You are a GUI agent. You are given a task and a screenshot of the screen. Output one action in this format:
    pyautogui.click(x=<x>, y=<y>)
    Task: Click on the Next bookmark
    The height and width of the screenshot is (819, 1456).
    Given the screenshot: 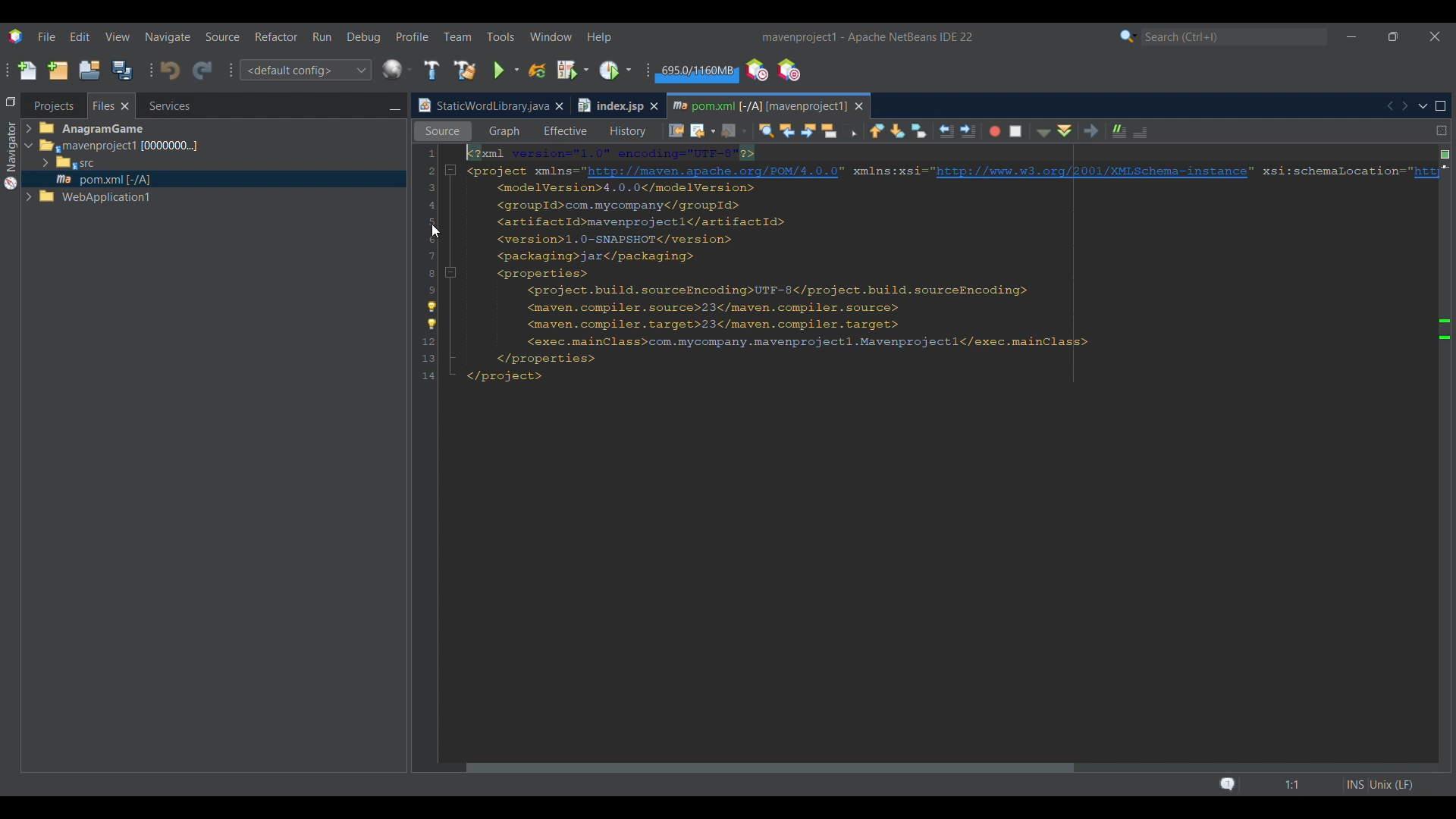 What is the action you would take?
    pyautogui.click(x=899, y=130)
    